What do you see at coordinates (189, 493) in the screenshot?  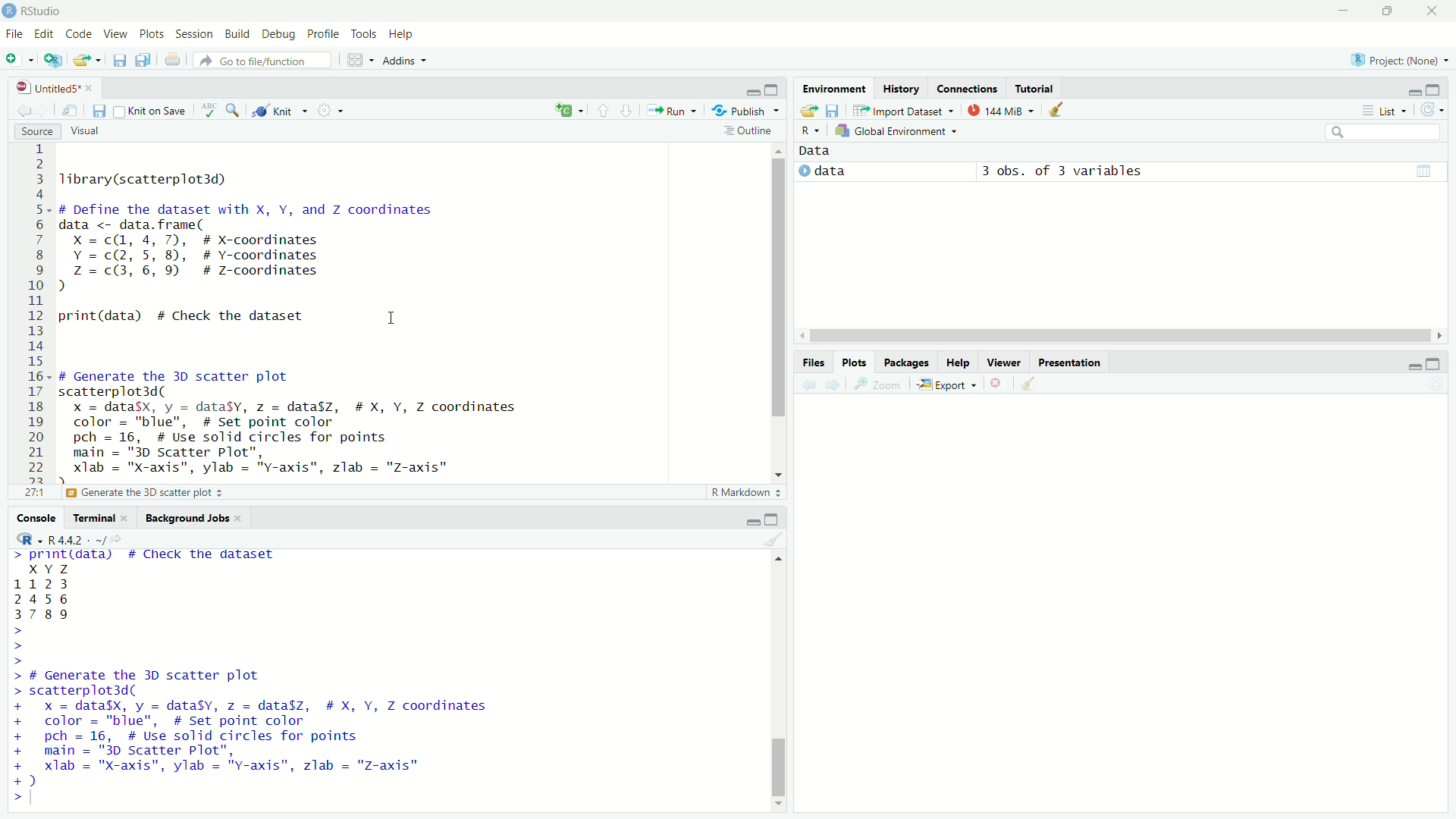 I see `Define the dataset with X, Y, and Z coordinates` at bounding box center [189, 493].